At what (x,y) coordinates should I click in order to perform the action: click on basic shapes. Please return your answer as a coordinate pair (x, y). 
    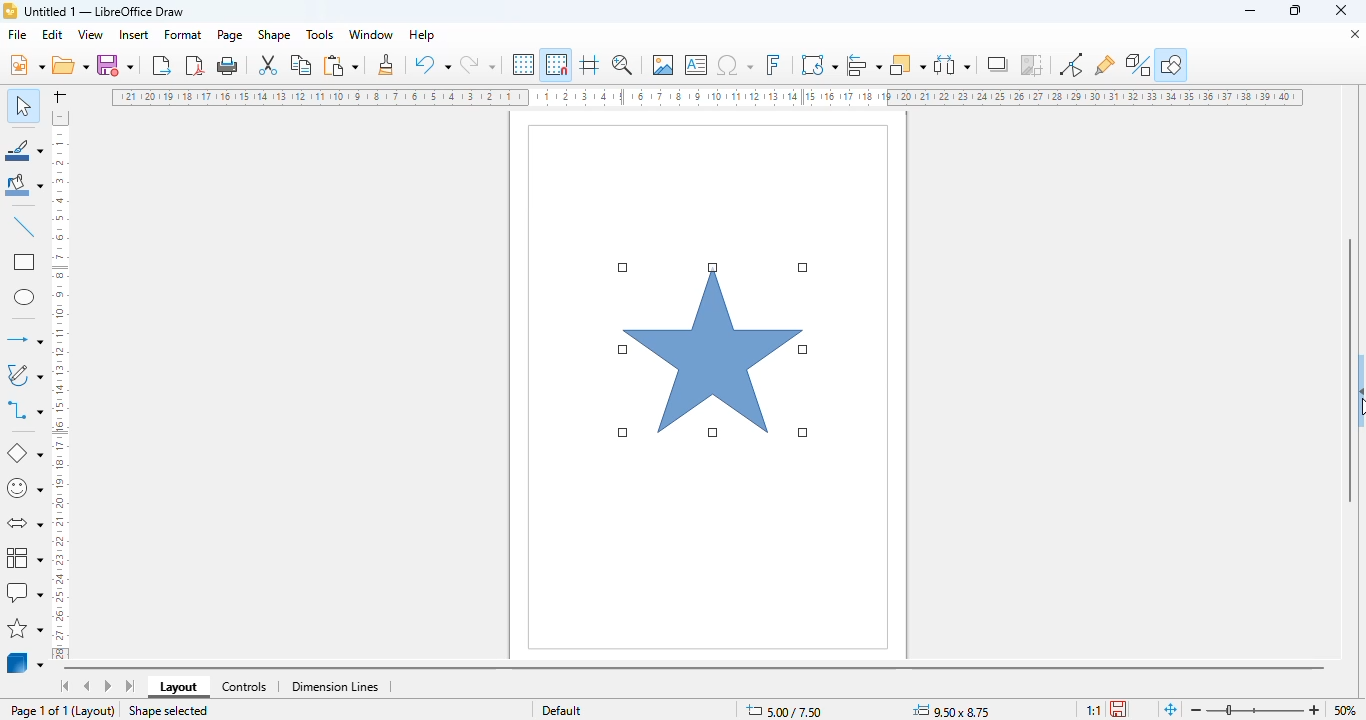
    Looking at the image, I should click on (26, 452).